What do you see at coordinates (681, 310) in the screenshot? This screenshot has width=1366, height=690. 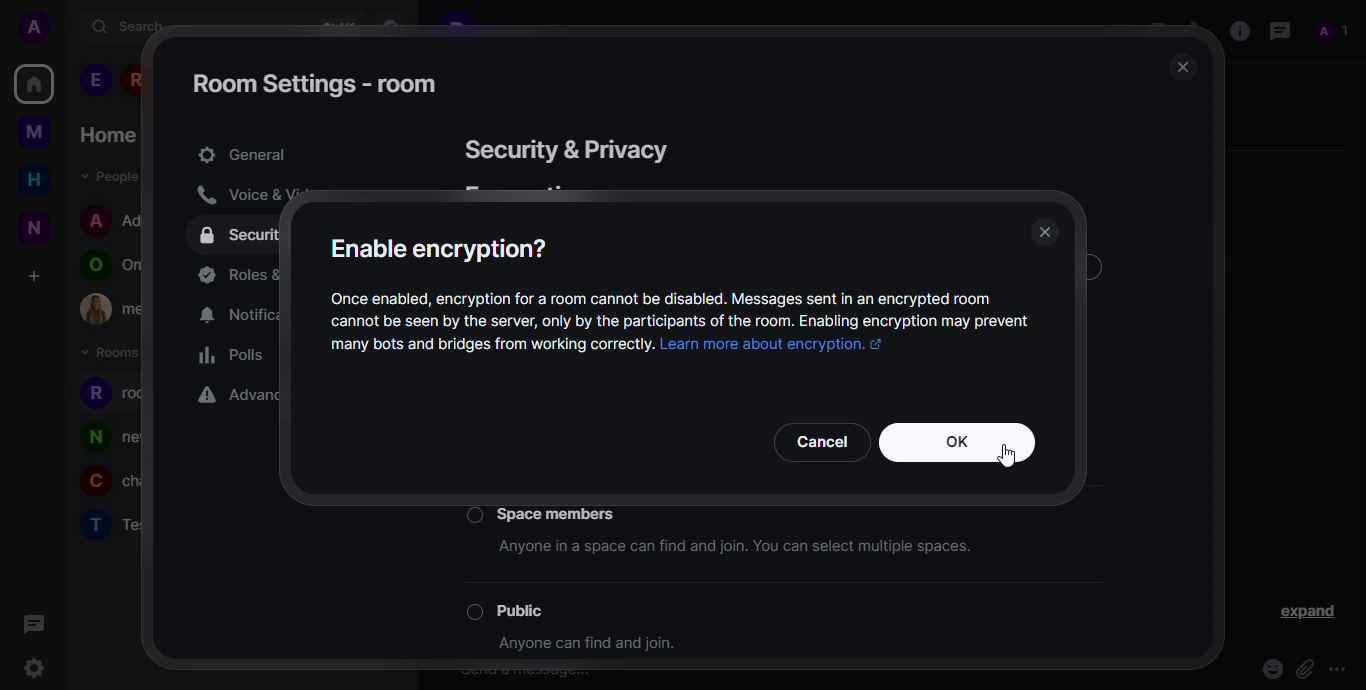 I see `text` at bounding box center [681, 310].